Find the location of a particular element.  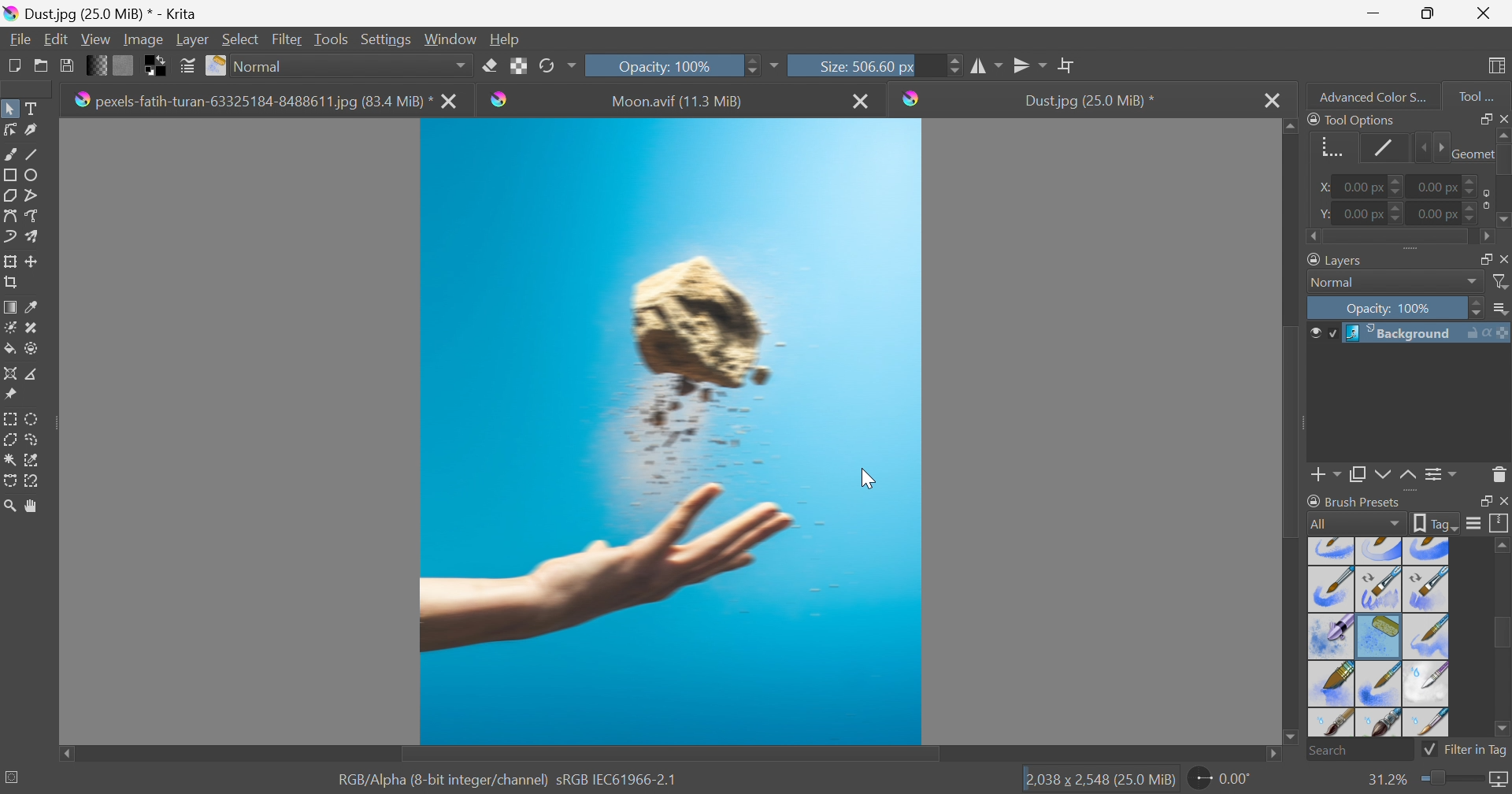

Preserve Alpha is located at coordinates (519, 65).